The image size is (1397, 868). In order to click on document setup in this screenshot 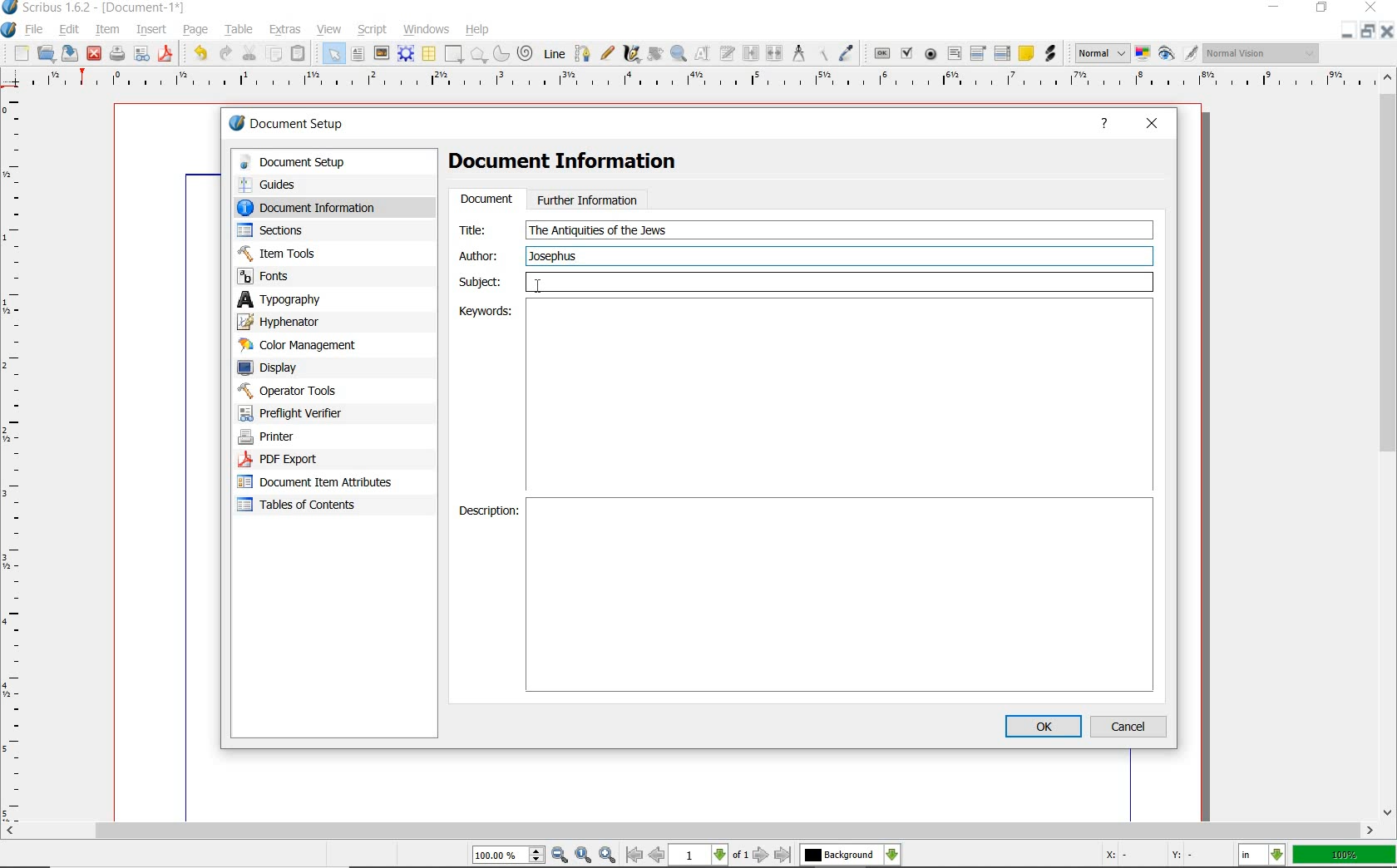, I will do `click(320, 162)`.